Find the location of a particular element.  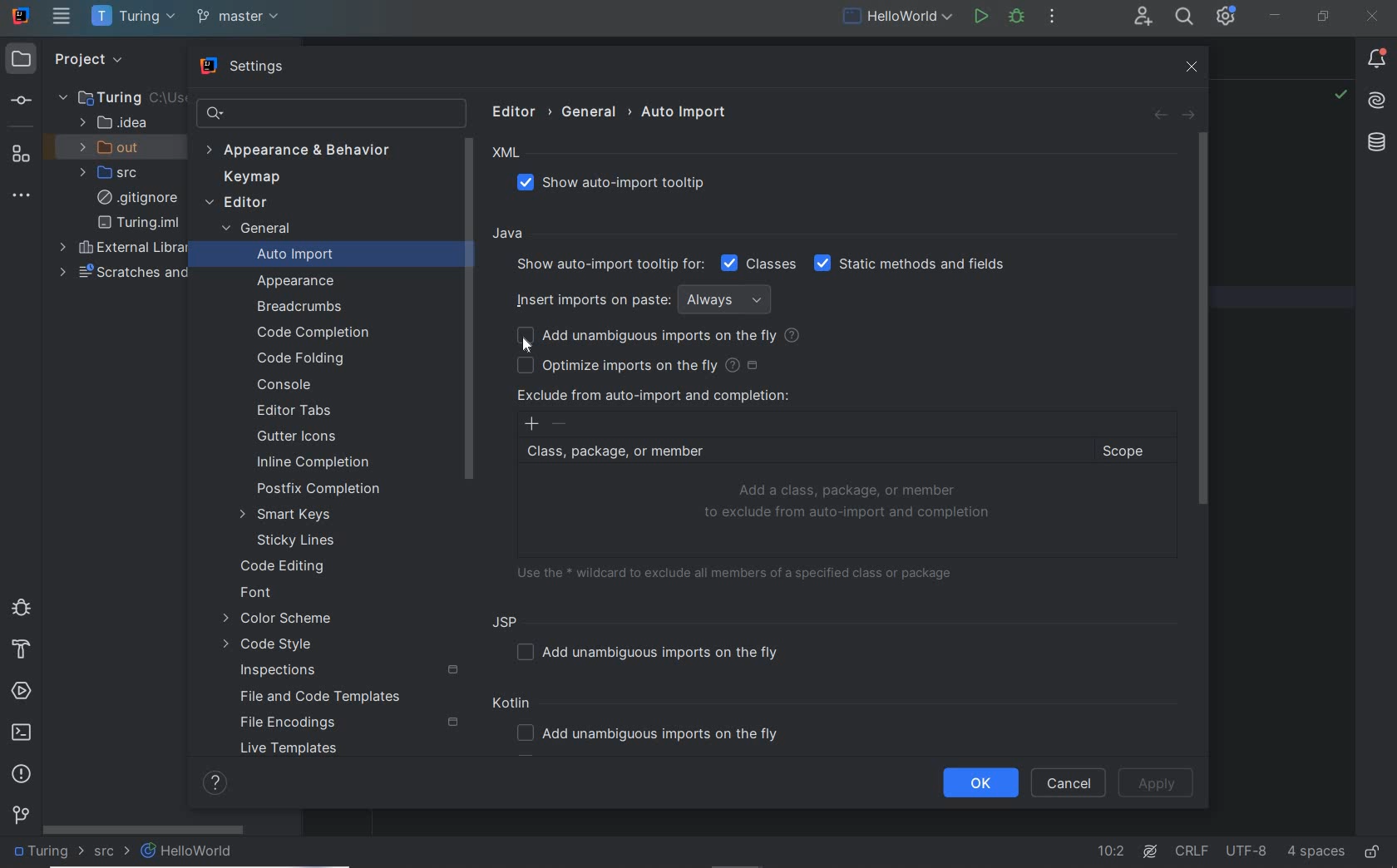

FILE AND CODE TEMPLATES is located at coordinates (315, 698).